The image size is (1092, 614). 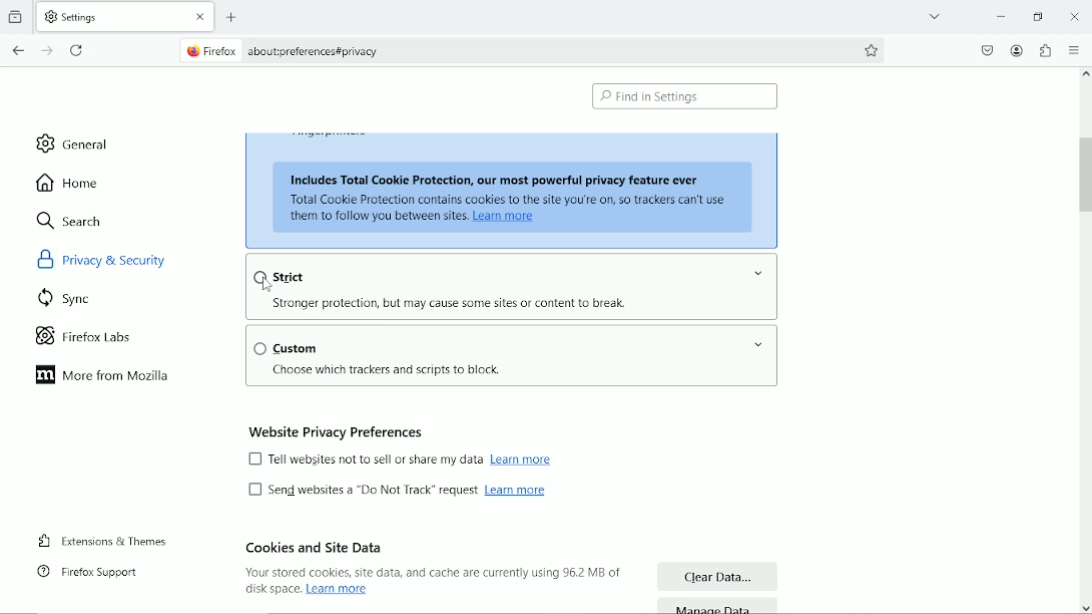 I want to click on text, so click(x=389, y=369).